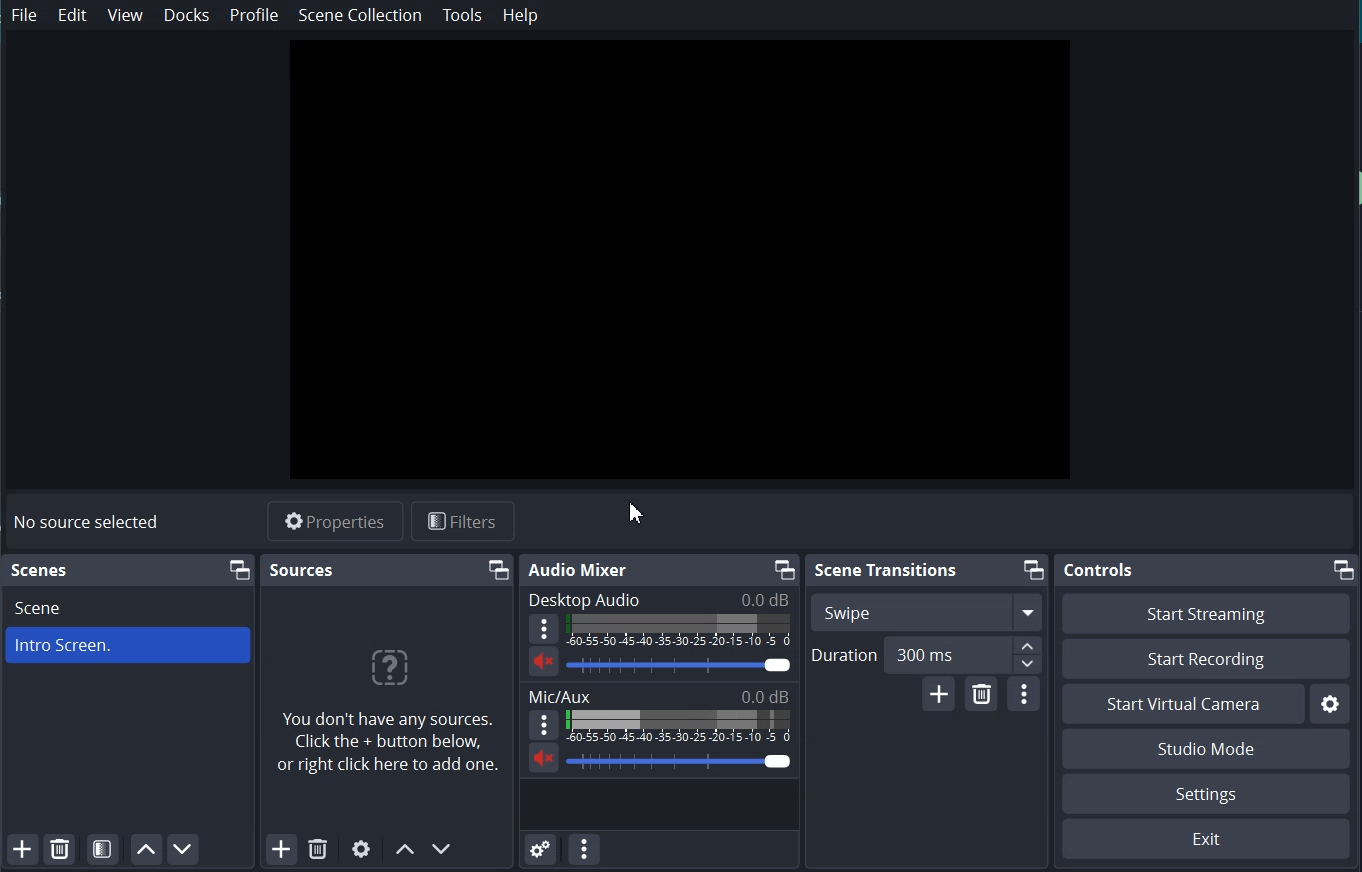  Describe the element at coordinates (1207, 748) in the screenshot. I see `Studio Mode` at that location.